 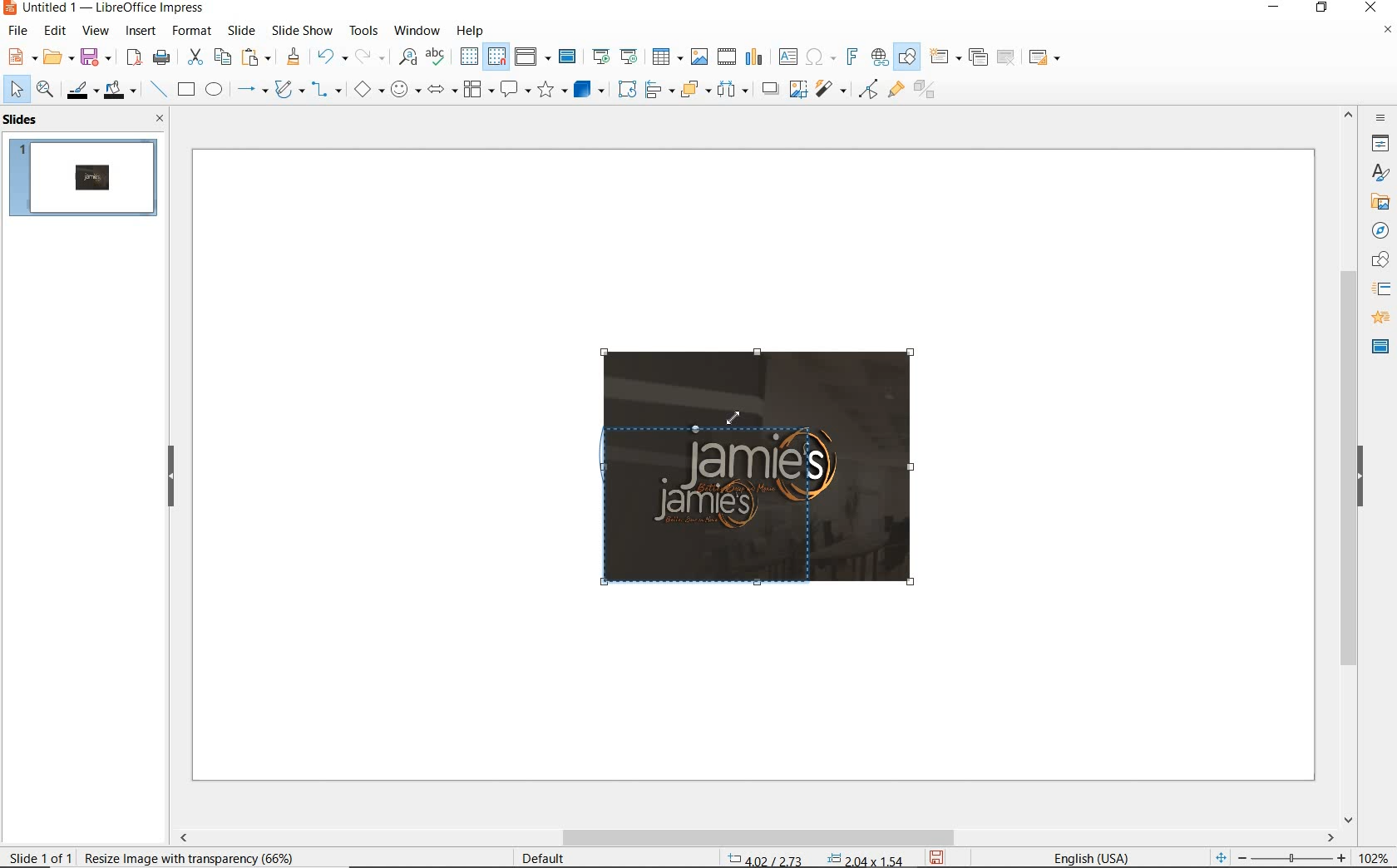 I want to click on minimize, so click(x=1276, y=9).